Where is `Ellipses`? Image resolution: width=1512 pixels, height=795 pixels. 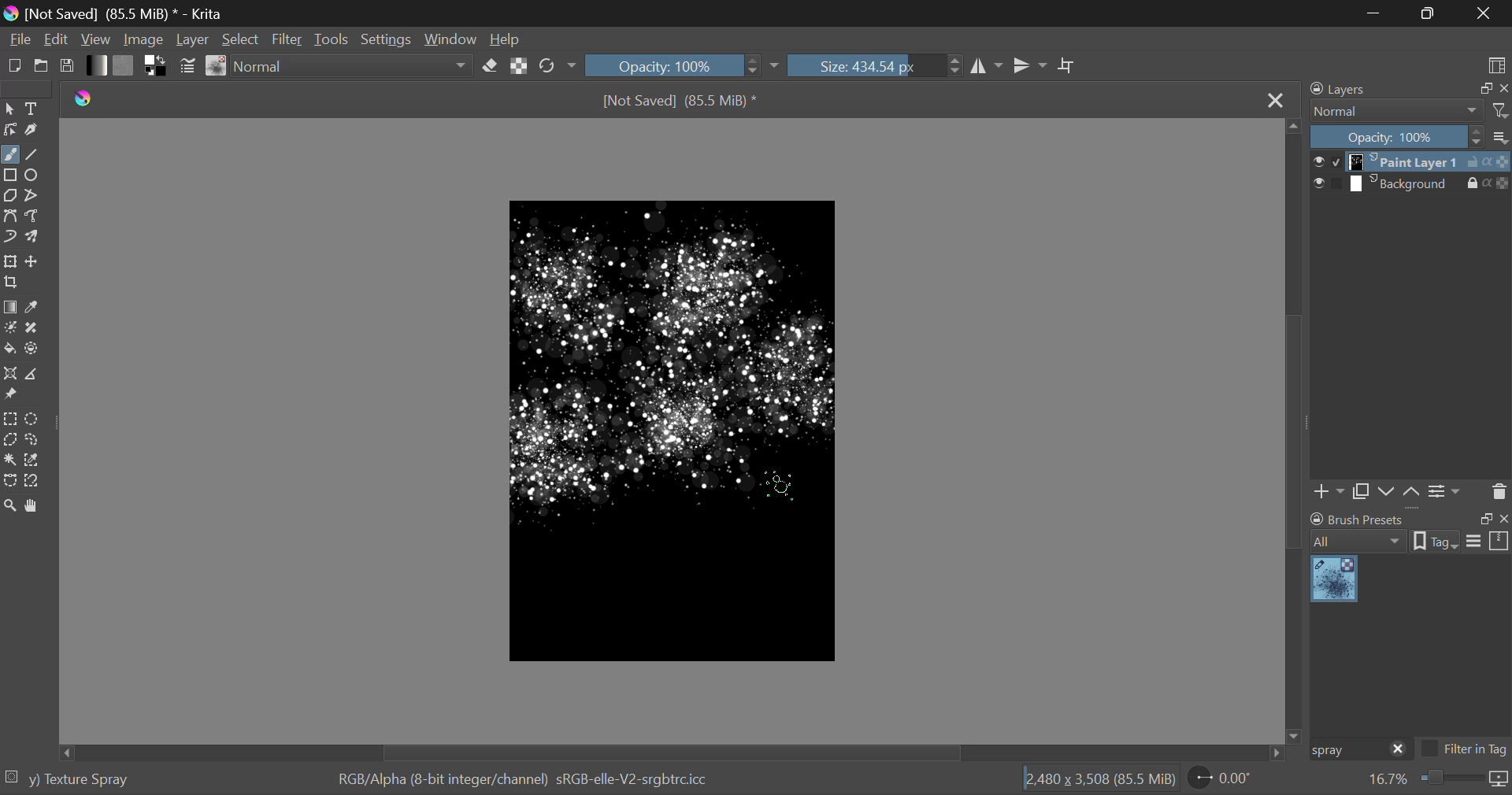 Ellipses is located at coordinates (34, 176).